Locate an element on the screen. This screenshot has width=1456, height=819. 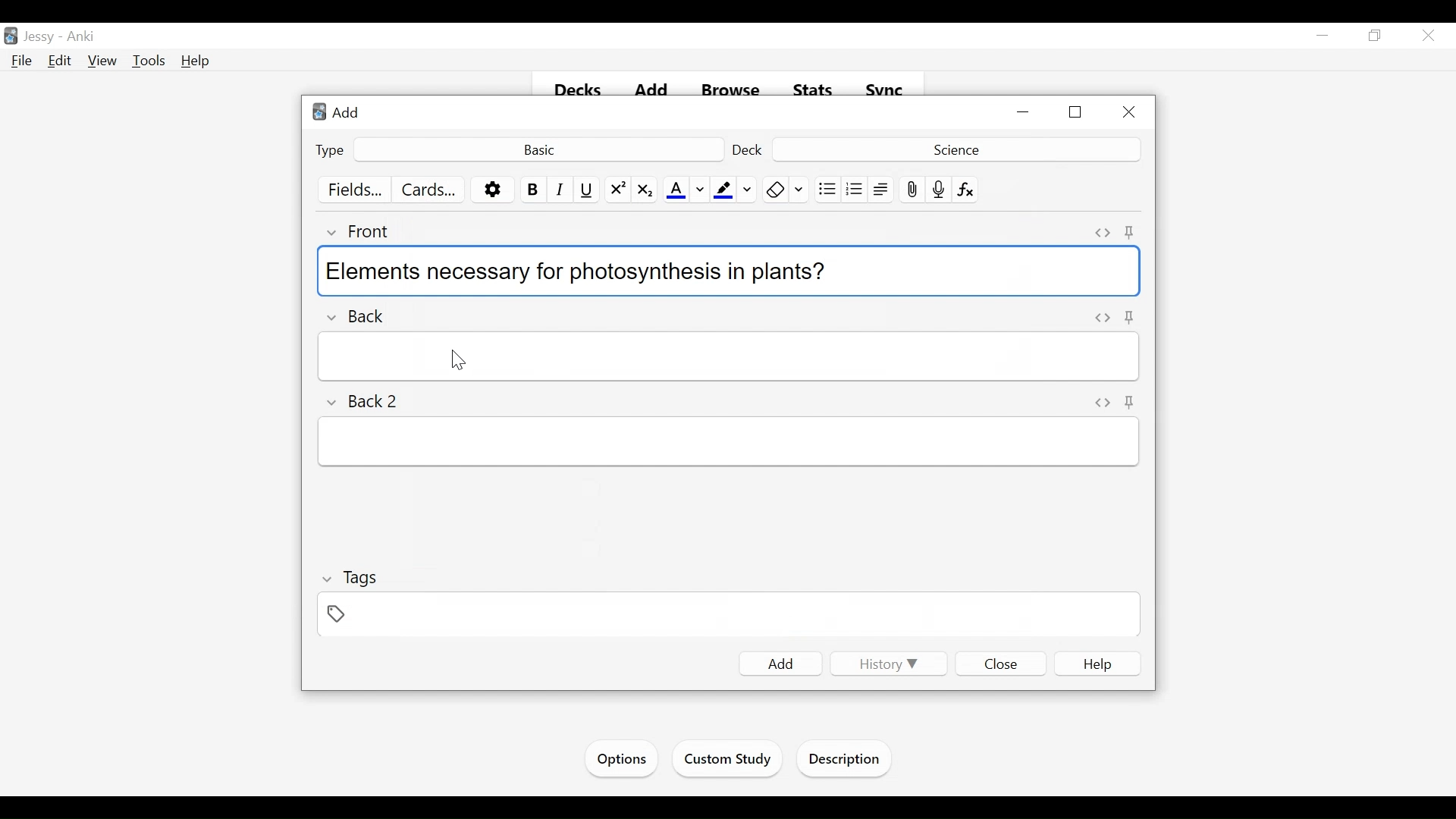
Add is located at coordinates (654, 91).